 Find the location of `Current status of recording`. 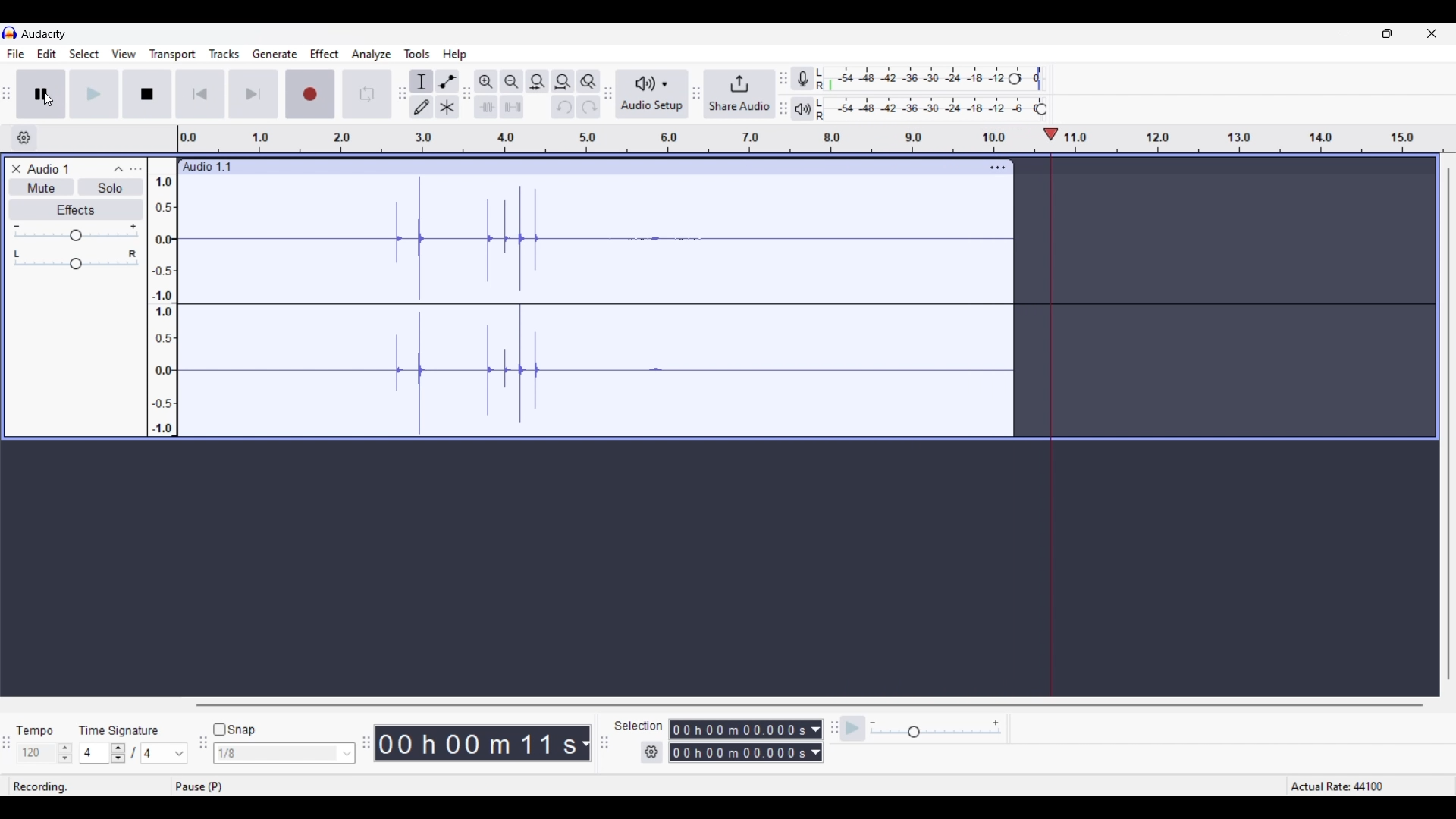

Current status of recording is located at coordinates (42, 786).